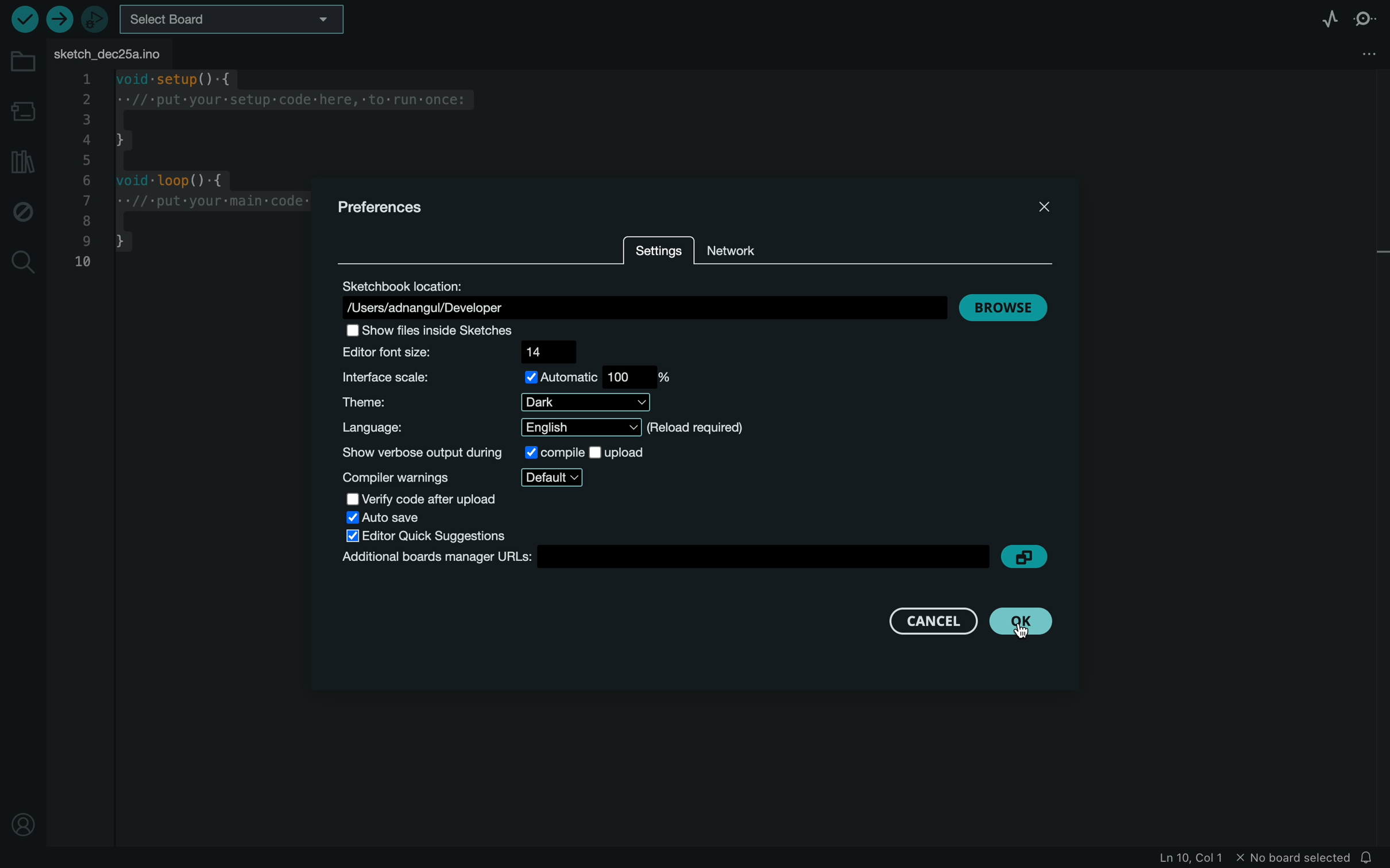 Image resolution: width=1390 pixels, height=868 pixels. Describe the element at coordinates (424, 498) in the screenshot. I see `verify  code` at that location.